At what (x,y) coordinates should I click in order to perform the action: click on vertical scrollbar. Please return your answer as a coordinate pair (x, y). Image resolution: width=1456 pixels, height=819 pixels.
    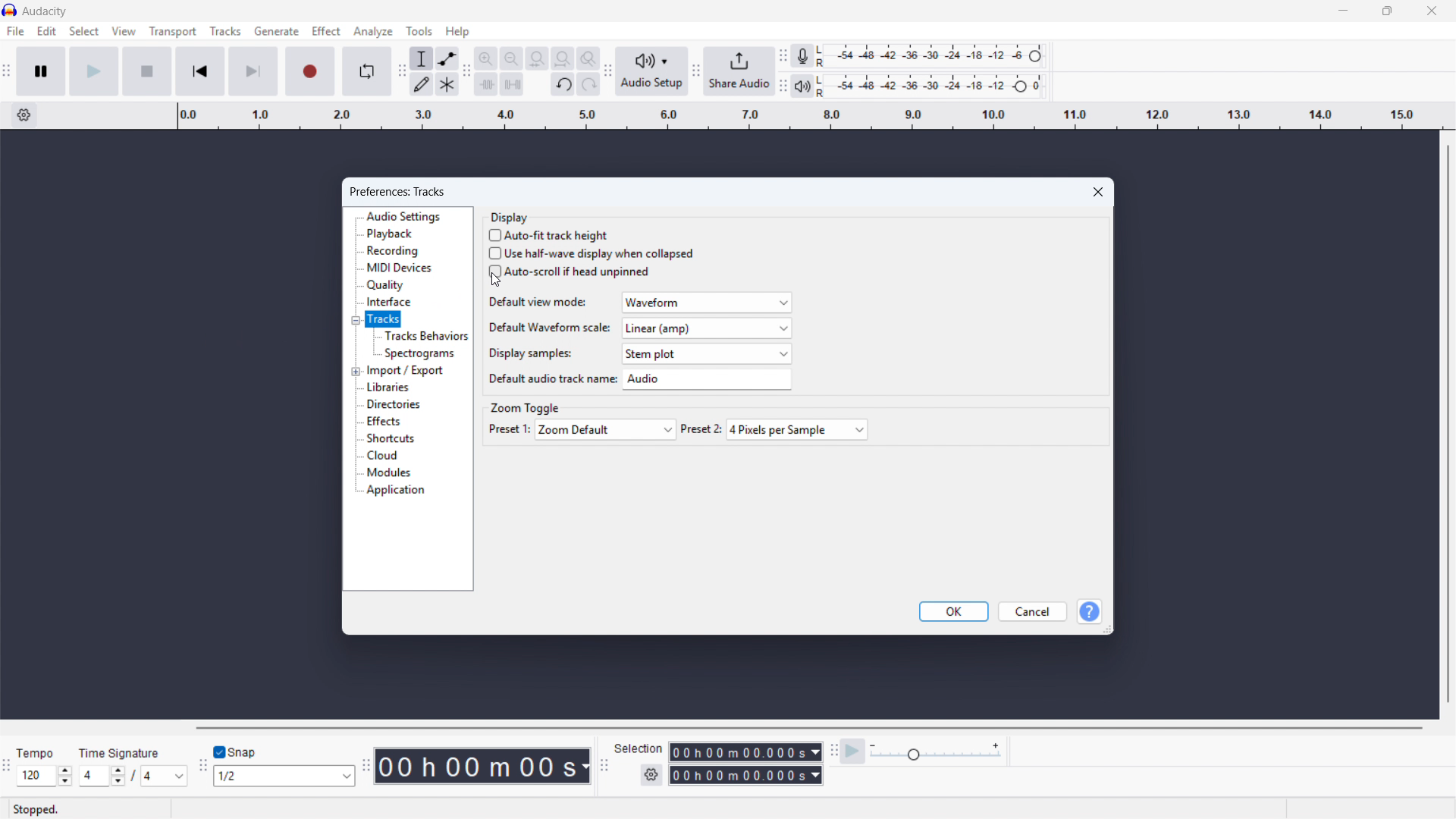
    Looking at the image, I should click on (1447, 425).